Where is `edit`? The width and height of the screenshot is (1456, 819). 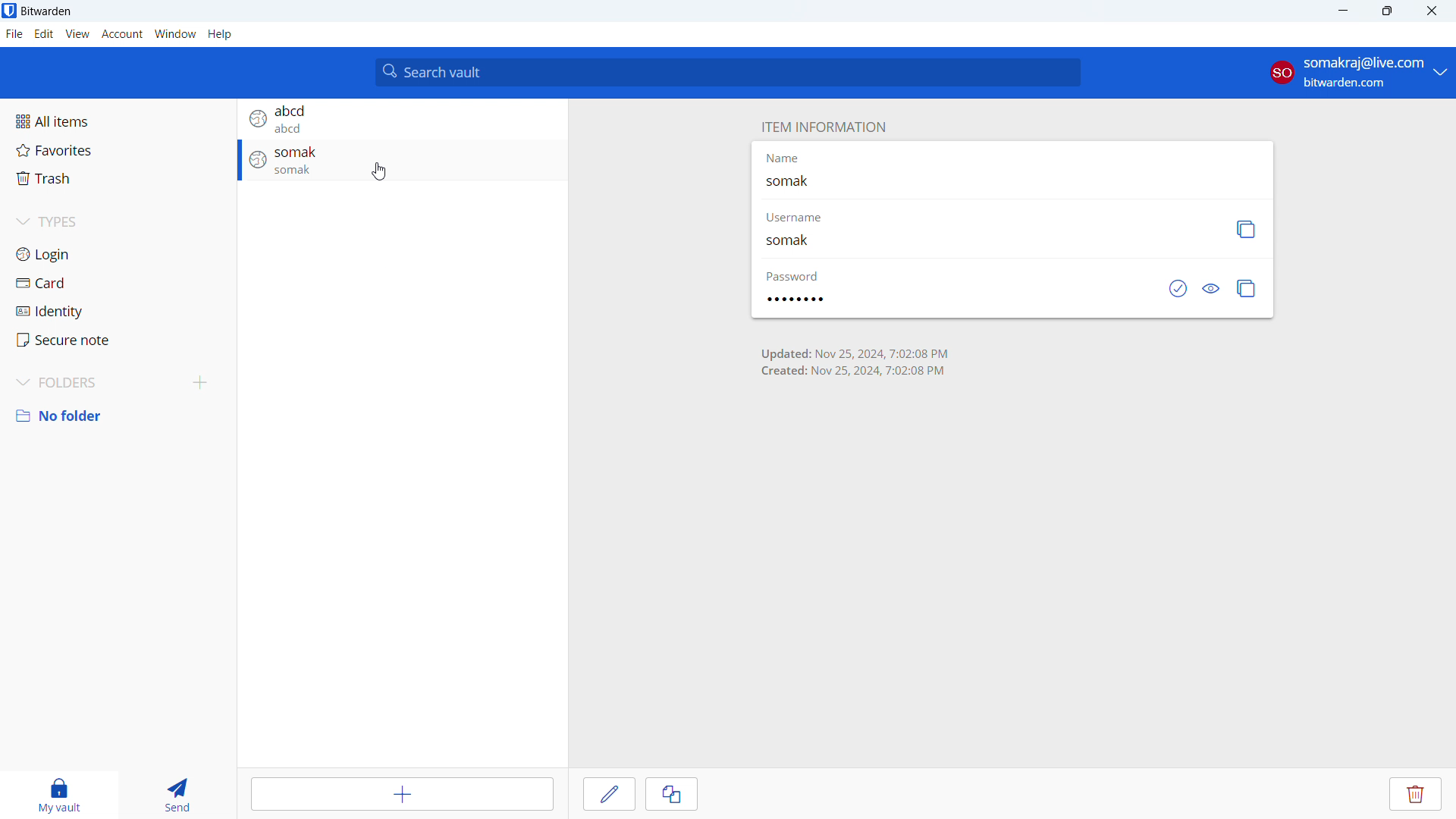 edit is located at coordinates (609, 794).